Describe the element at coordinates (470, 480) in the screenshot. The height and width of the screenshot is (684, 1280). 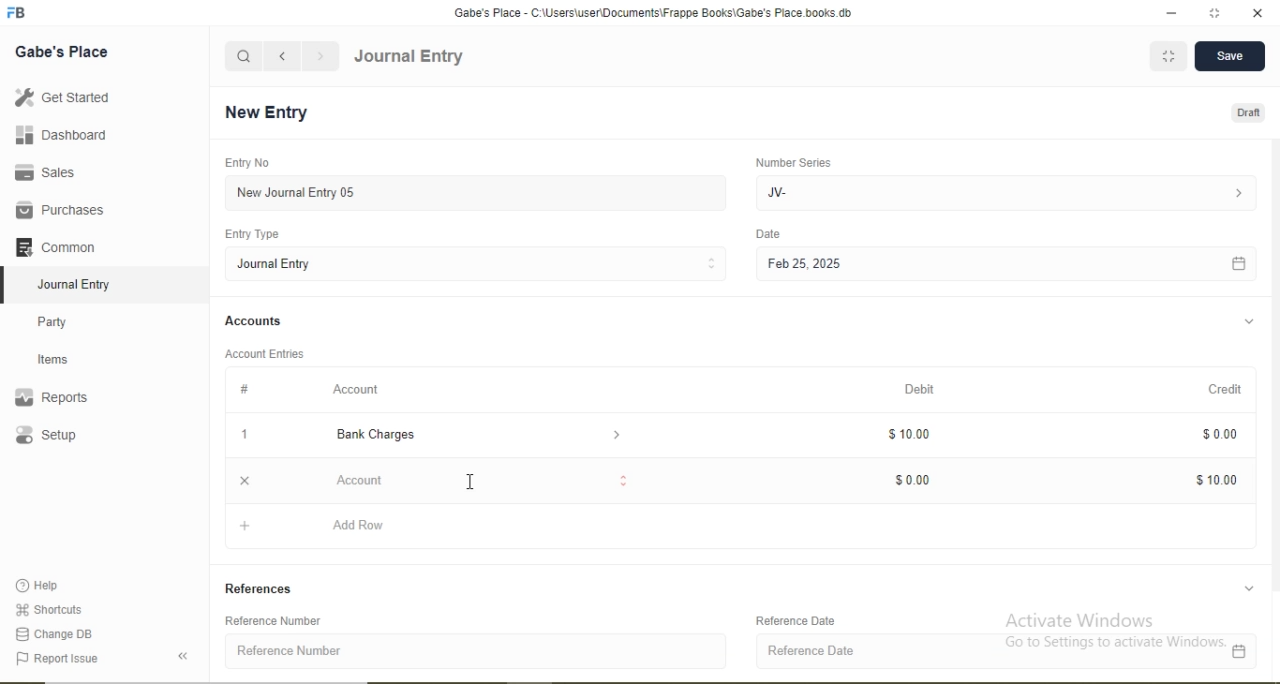
I see `Account` at that location.